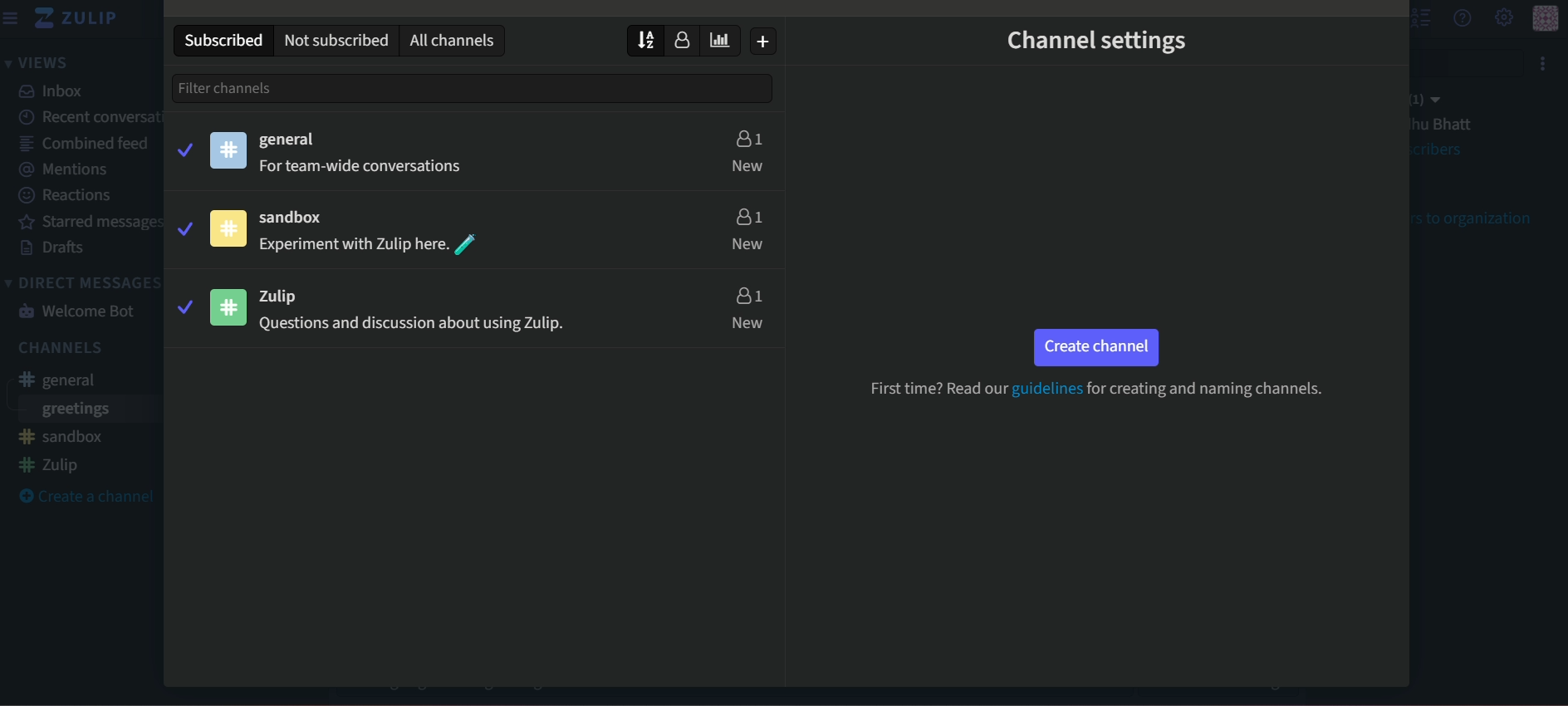 This screenshot has height=706, width=1568. Describe the element at coordinates (286, 140) in the screenshot. I see `general` at that location.